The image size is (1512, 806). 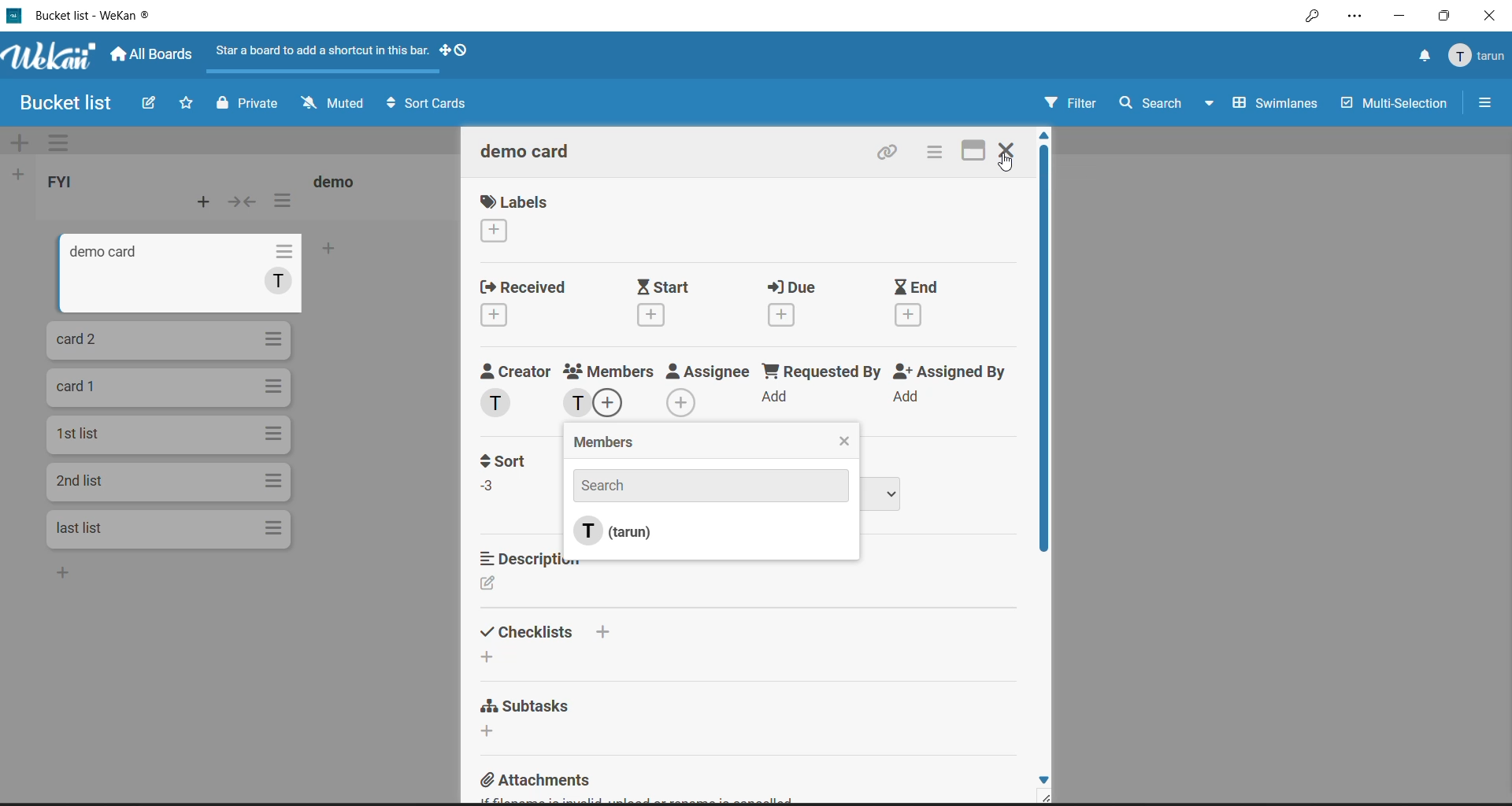 What do you see at coordinates (515, 202) in the screenshot?
I see `labels` at bounding box center [515, 202].